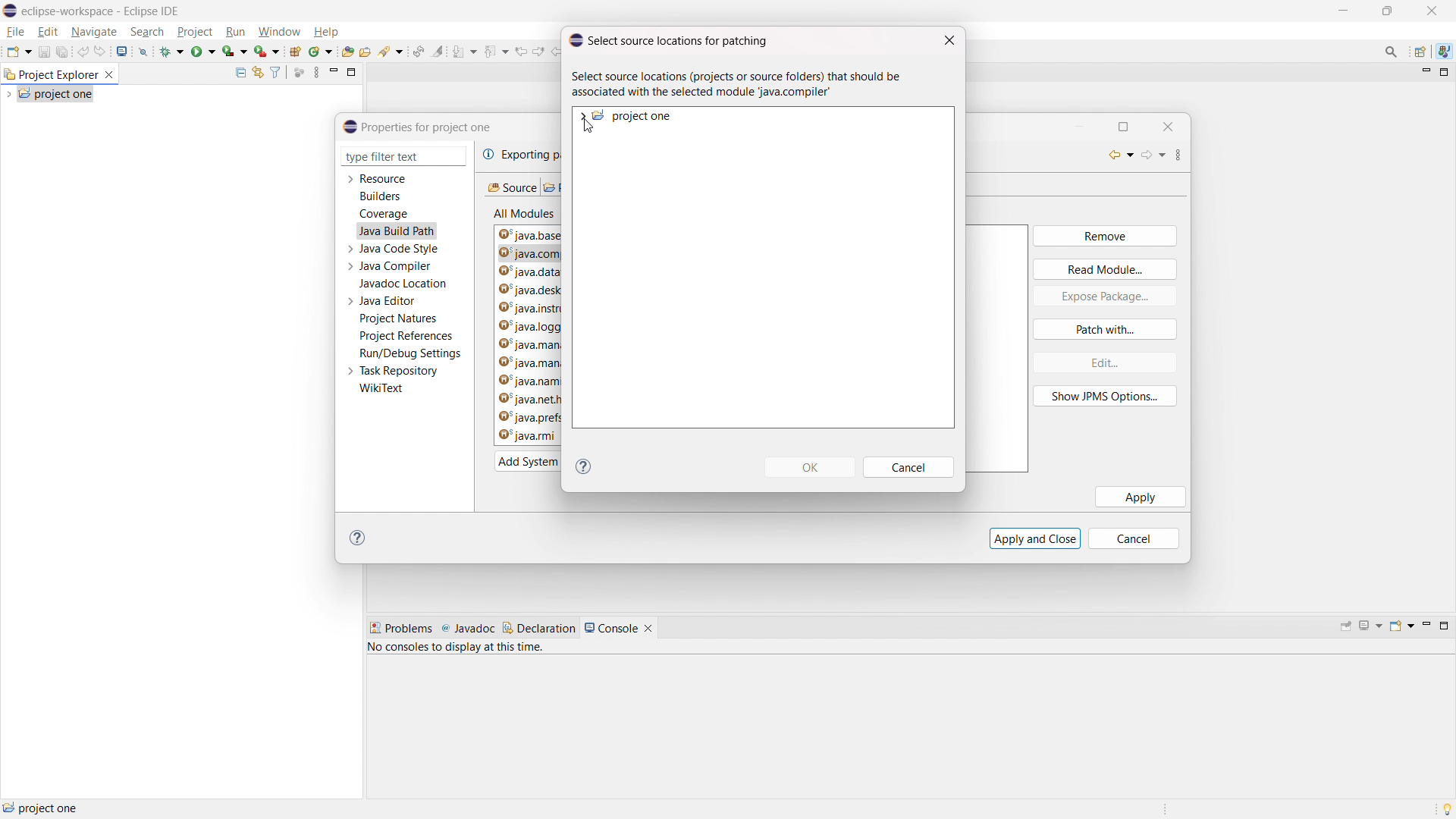 This screenshot has width=1456, height=819. Describe the element at coordinates (172, 50) in the screenshot. I see `debug` at that location.